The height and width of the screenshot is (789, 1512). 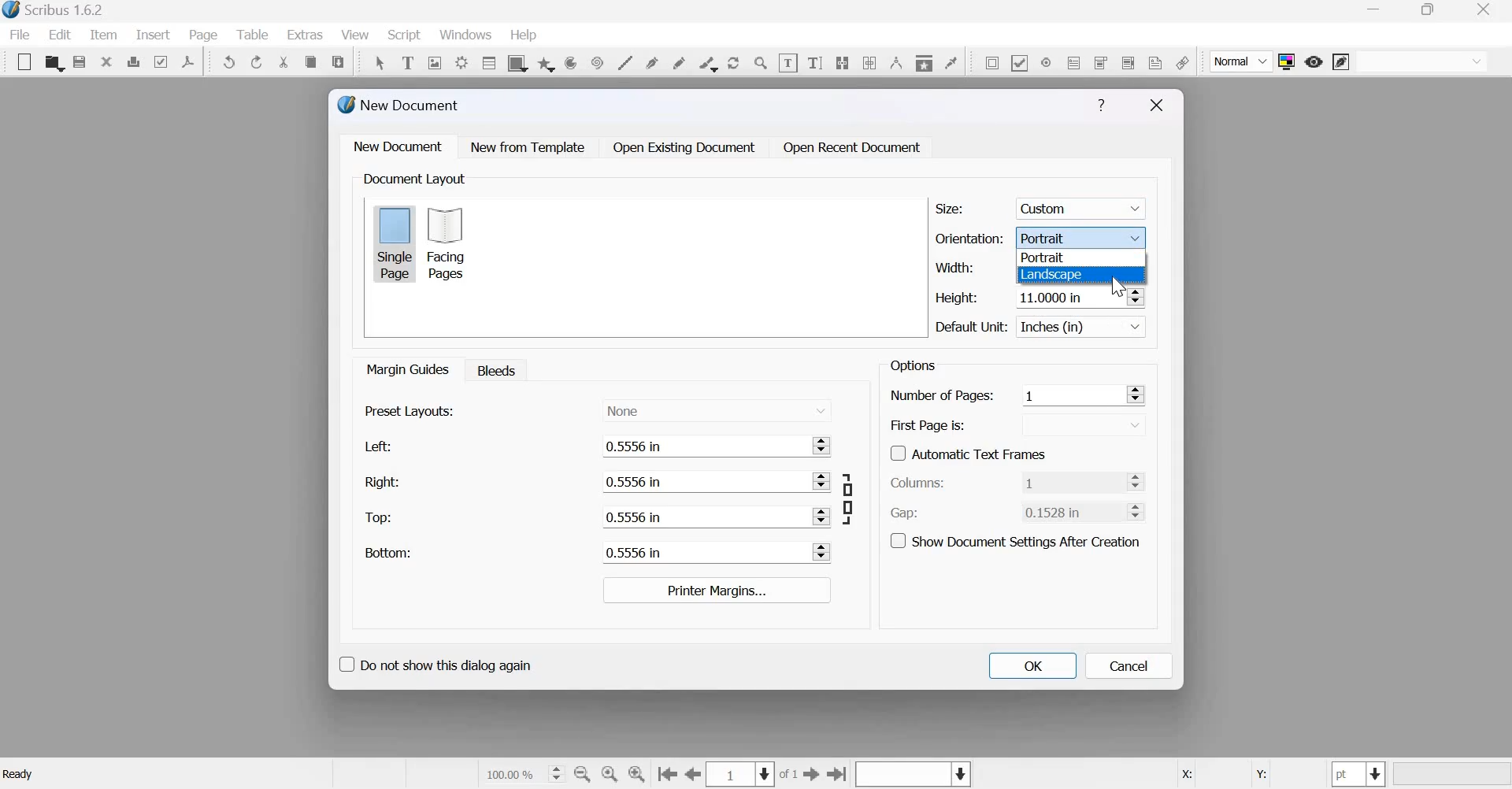 I want to click on Select the current layer, so click(x=911, y=775).